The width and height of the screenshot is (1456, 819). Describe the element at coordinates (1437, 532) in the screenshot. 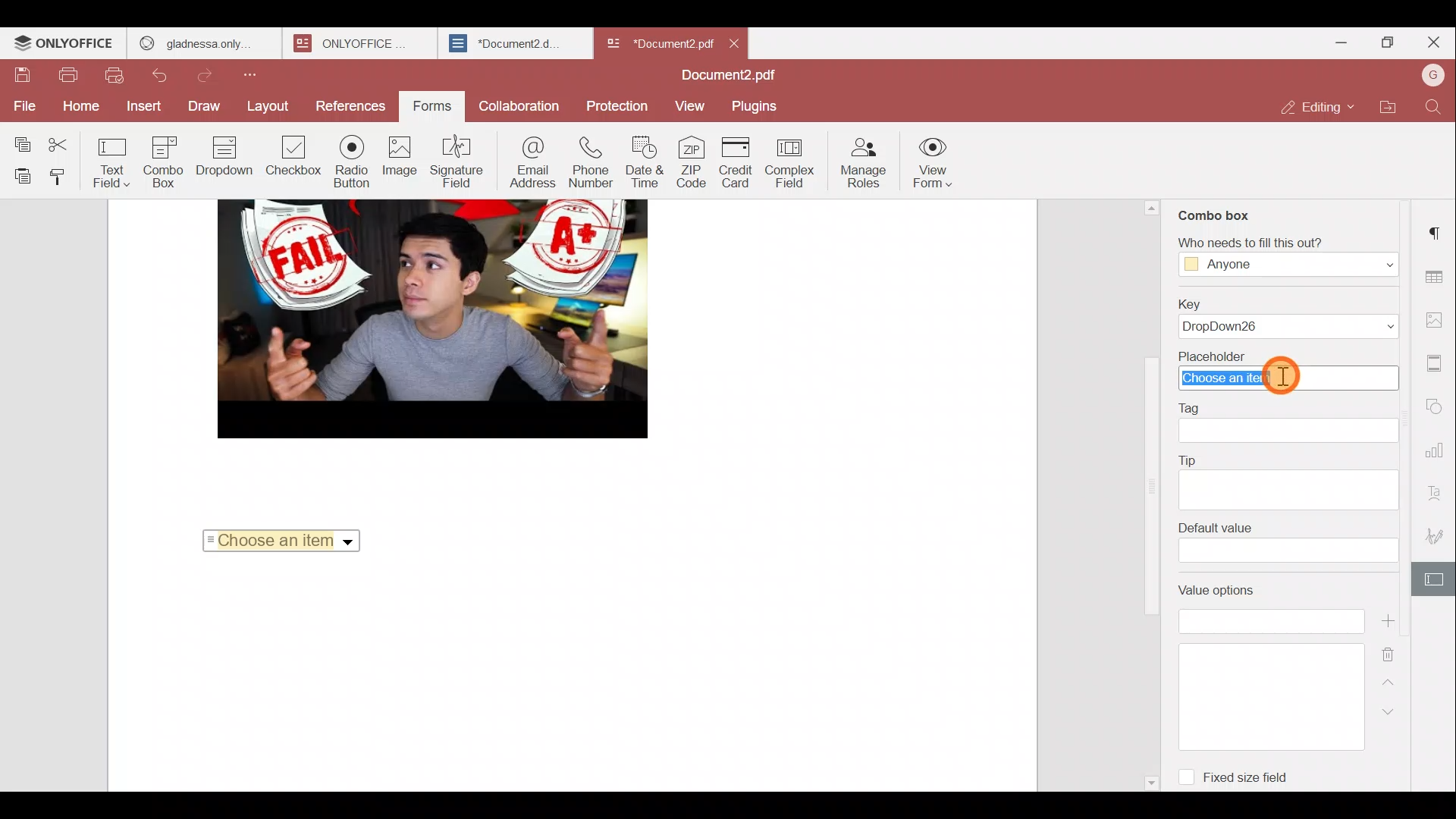

I see `Signature settings` at that location.